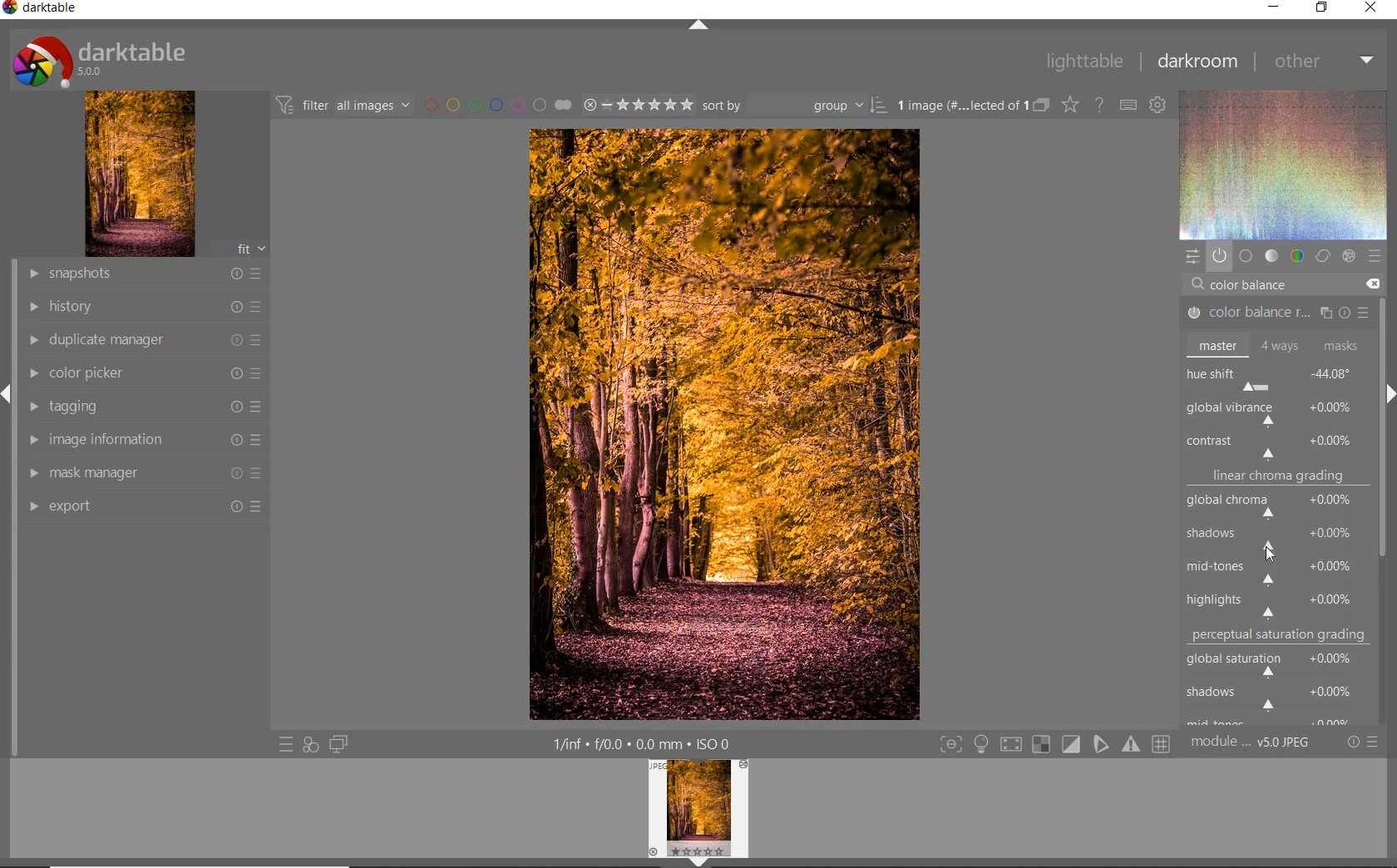 The height and width of the screenshot is (868, 1397). I want to click on system logo or name, so click(106, 60).